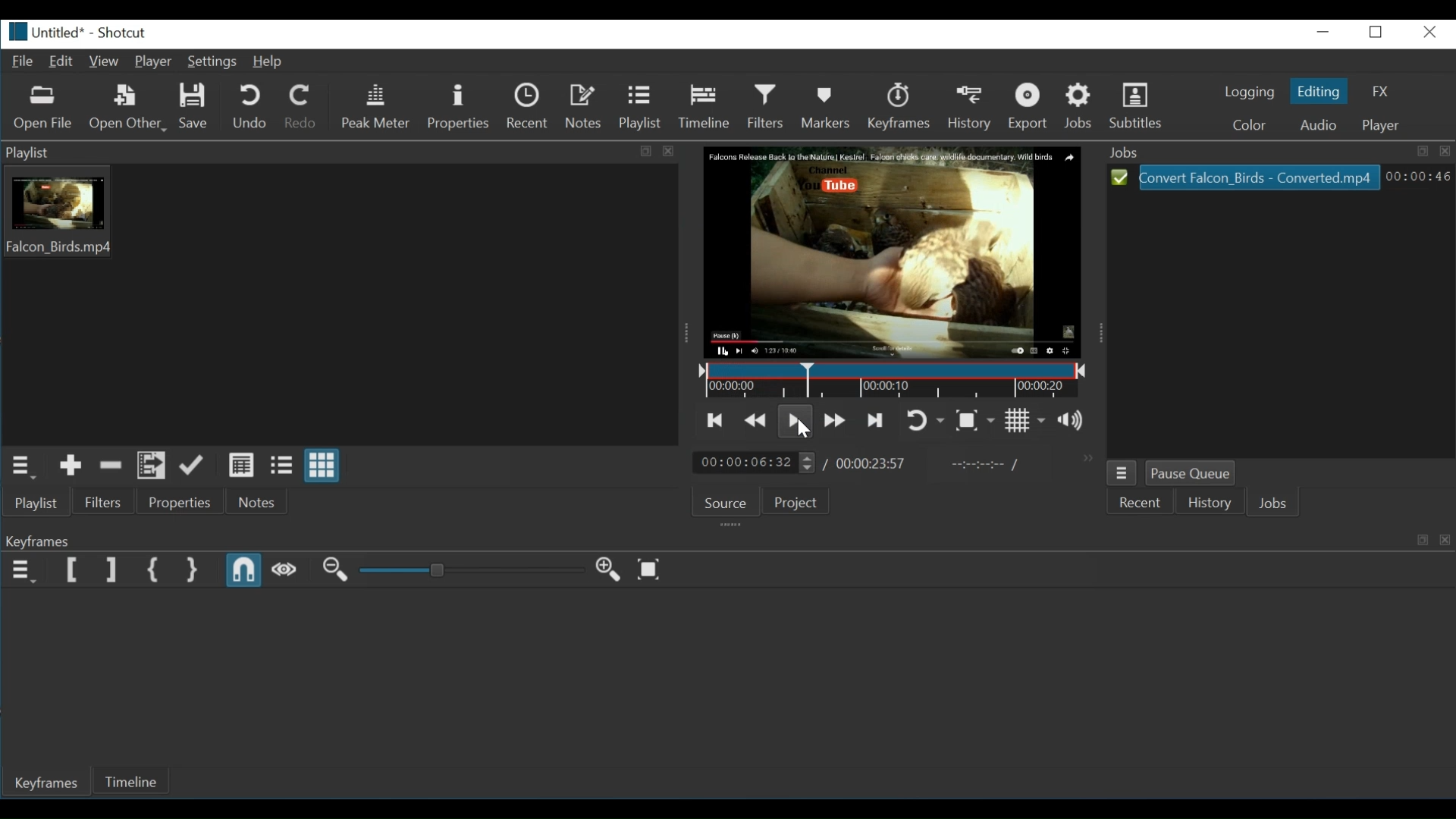 The height and width of the screenshot is (819, 1456). What do you see at coordinates (61, 60) in the screenshot?
I see `Edit` at bounding box center [61, 60].